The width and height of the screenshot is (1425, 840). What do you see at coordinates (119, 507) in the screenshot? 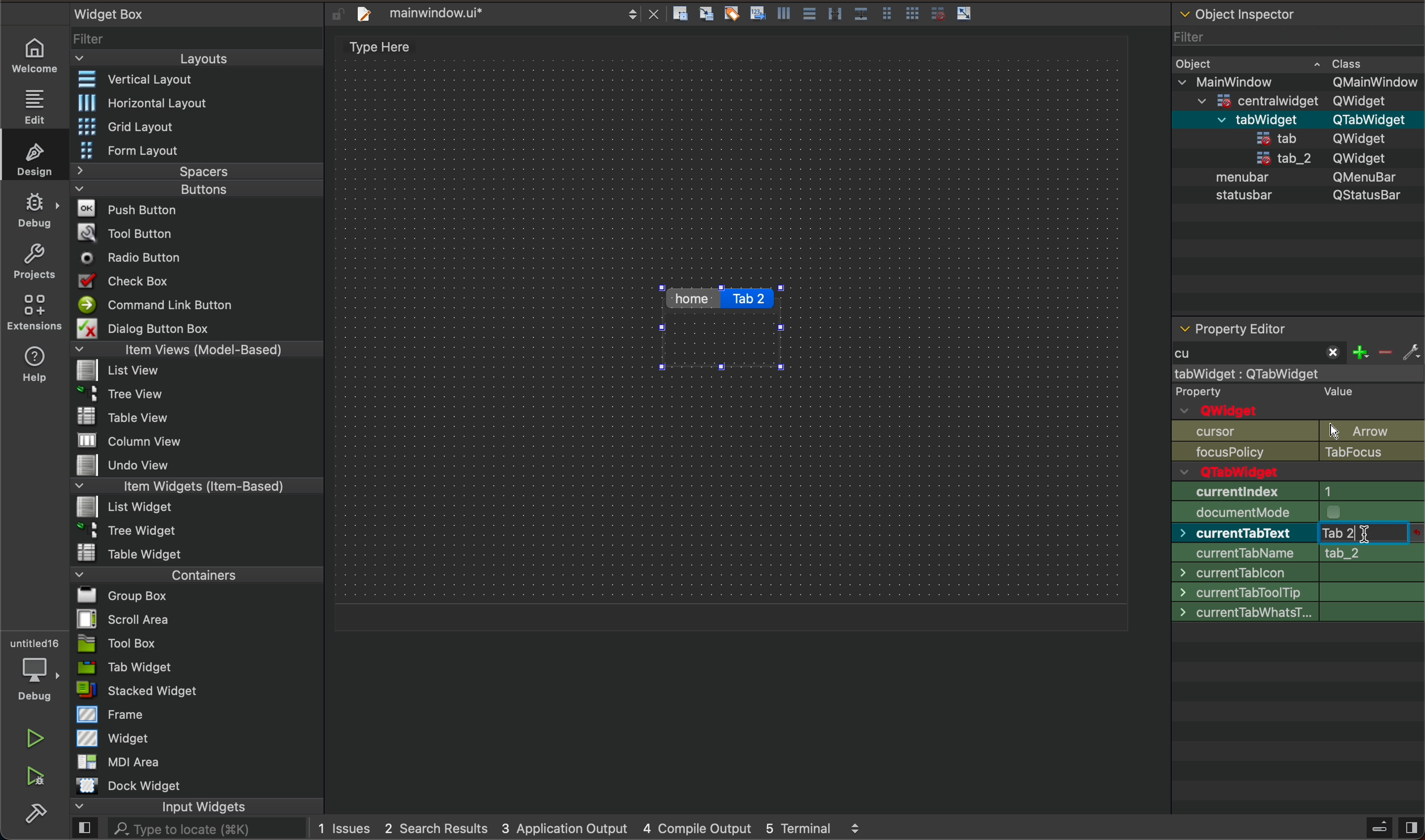
I see `List widget` at bounding box center [119, 507].